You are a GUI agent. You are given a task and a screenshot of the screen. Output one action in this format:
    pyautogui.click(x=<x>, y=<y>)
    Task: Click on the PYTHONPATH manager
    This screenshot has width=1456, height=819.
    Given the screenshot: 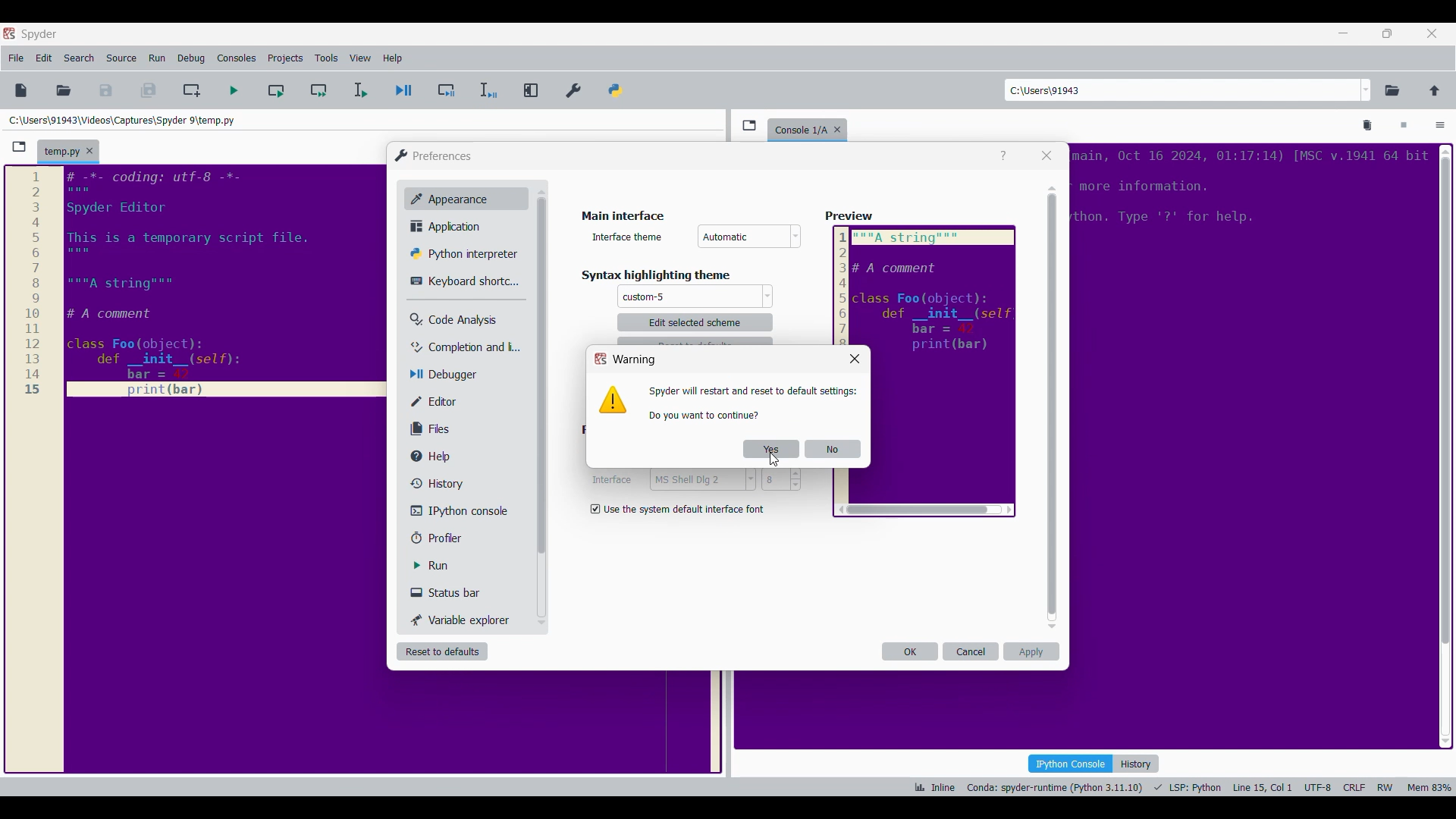 What is the action you would take?
    pyautogui.click(x=617, y=90)
    